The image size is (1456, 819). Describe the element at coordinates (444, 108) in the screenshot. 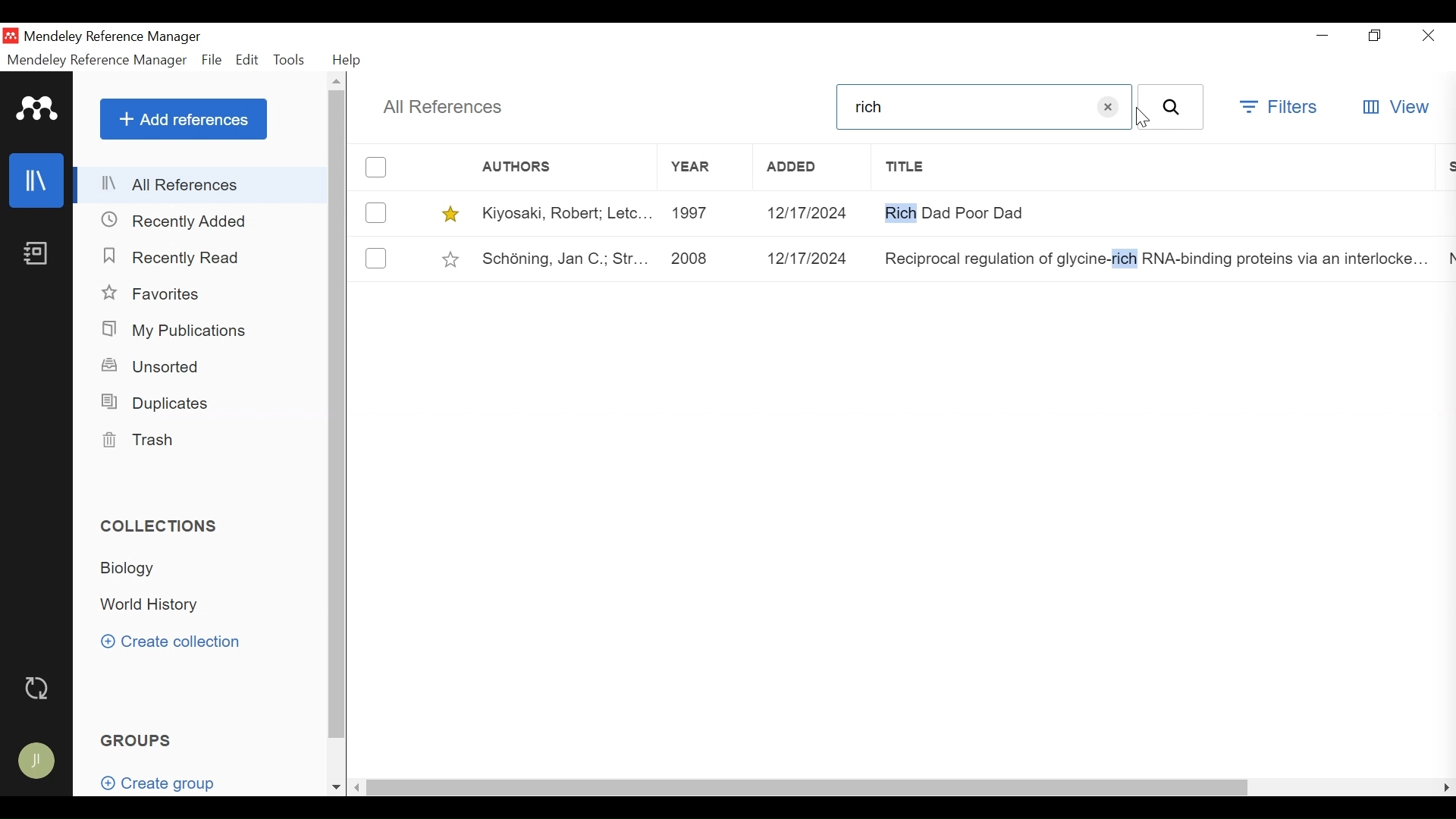

I see `All References` at that location.